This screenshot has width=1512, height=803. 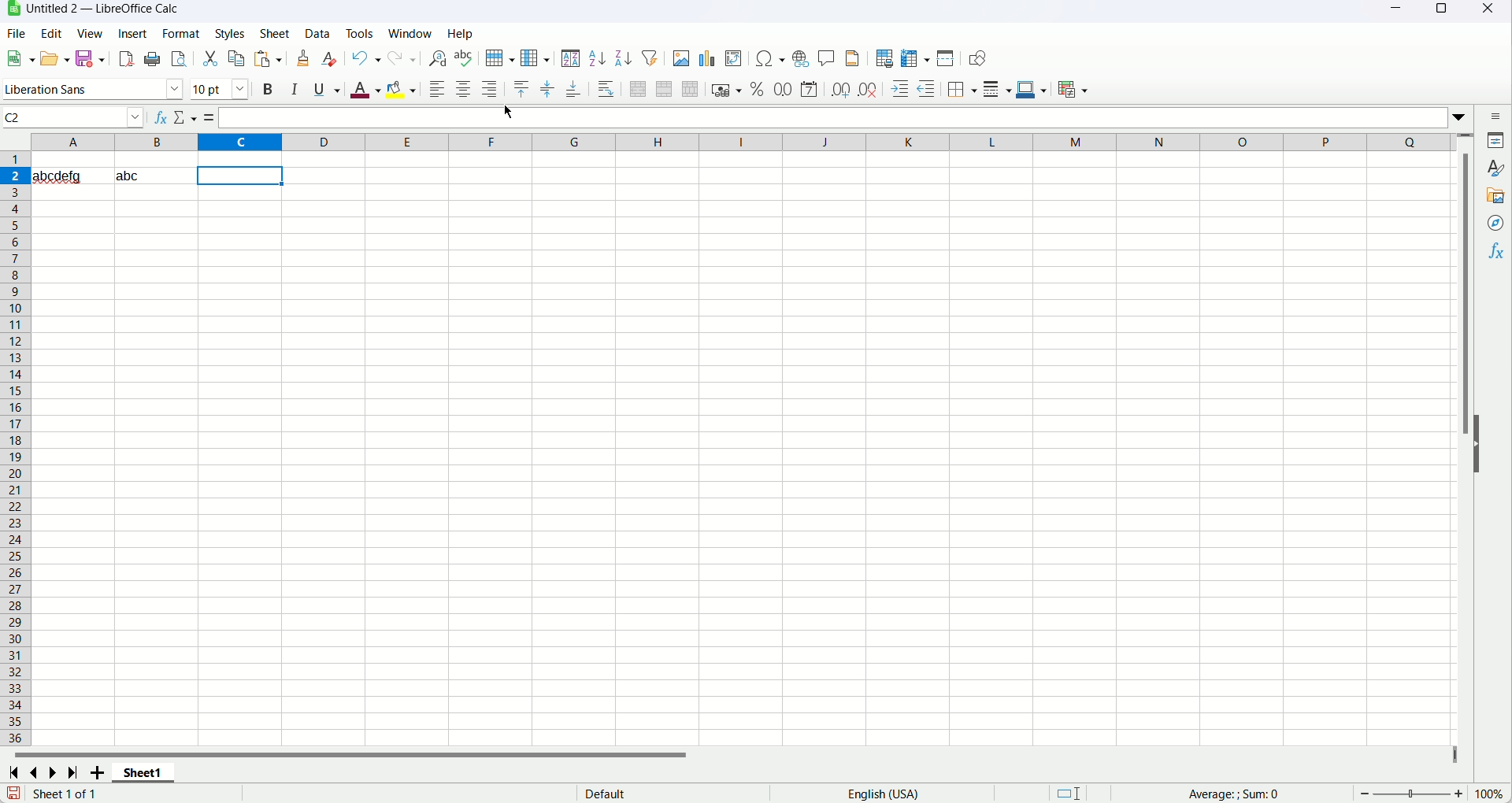 What do you see at coordinates (231, 34) in the screenshot?
I see `styles` at bounding box center [231, 34].